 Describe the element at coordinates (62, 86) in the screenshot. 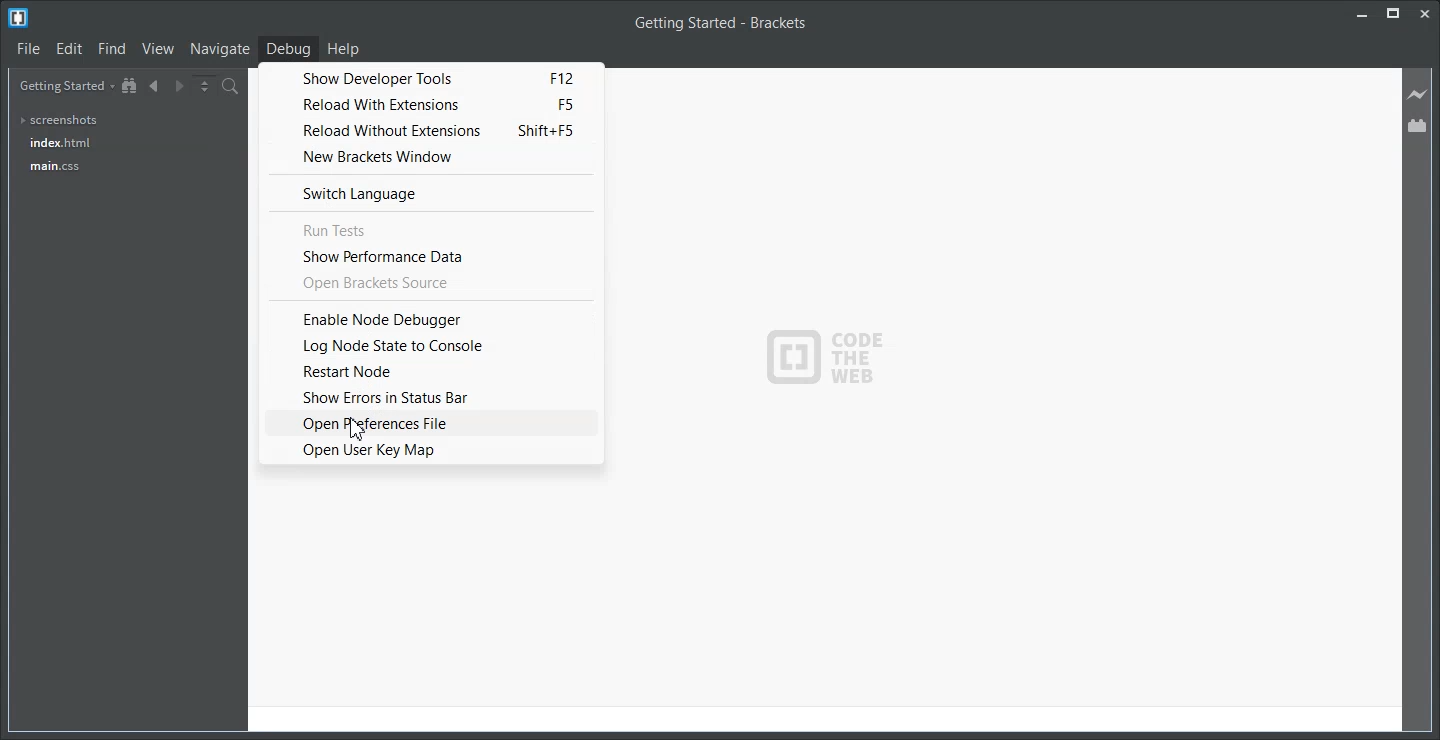

I see `Getting Started` at that location.